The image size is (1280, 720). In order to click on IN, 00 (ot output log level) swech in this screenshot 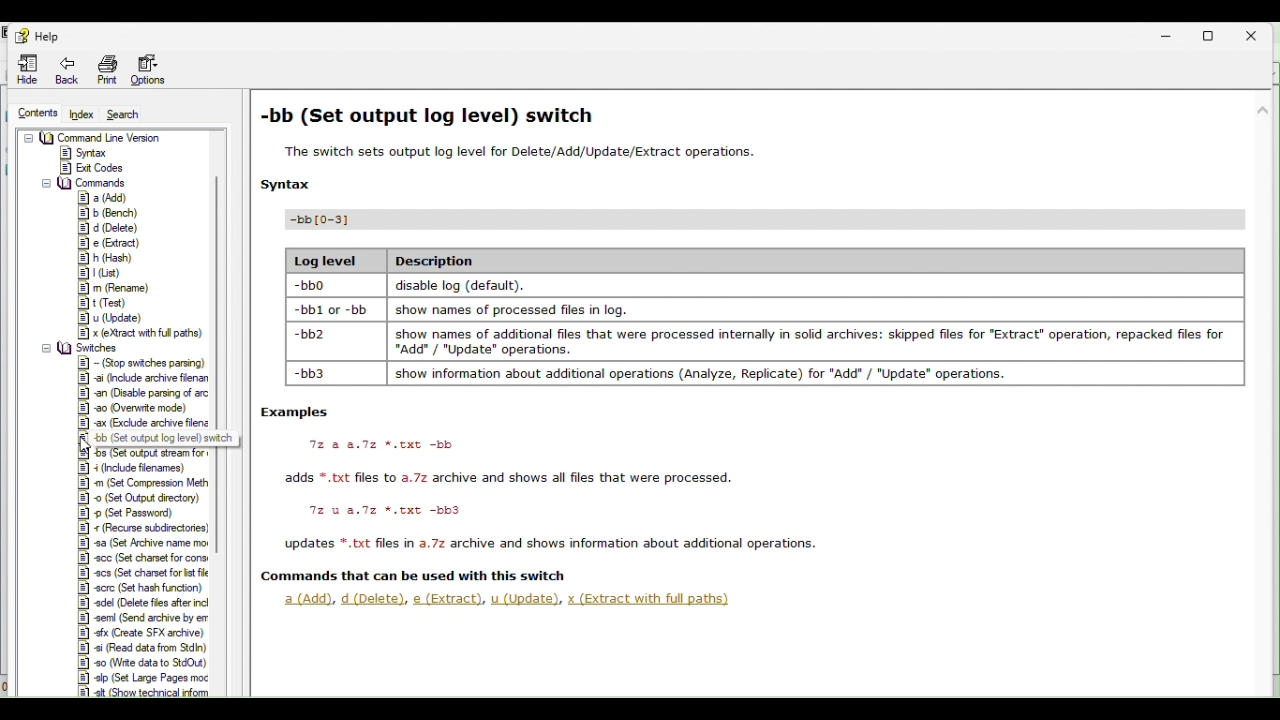, I will do `click(171, 438)`.